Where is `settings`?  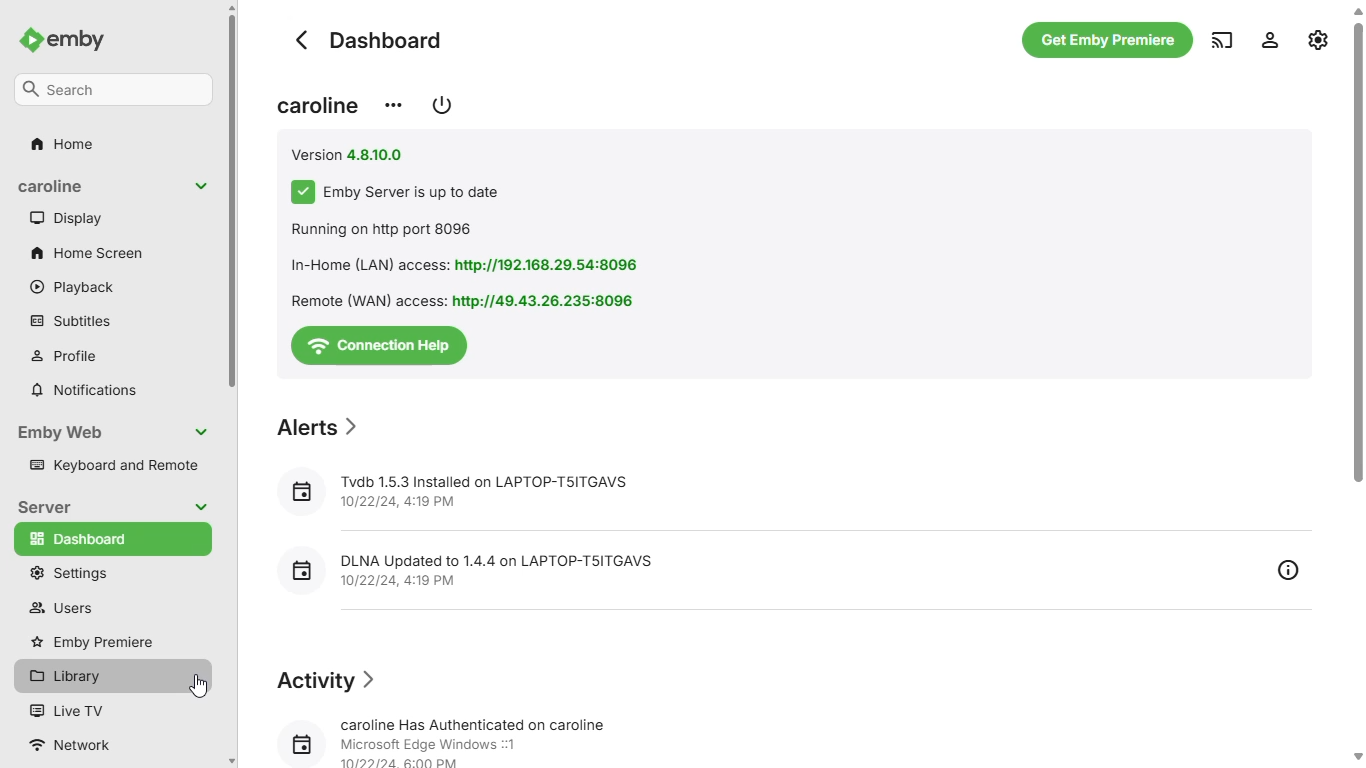
settings is located at coordinates (1319, 37).